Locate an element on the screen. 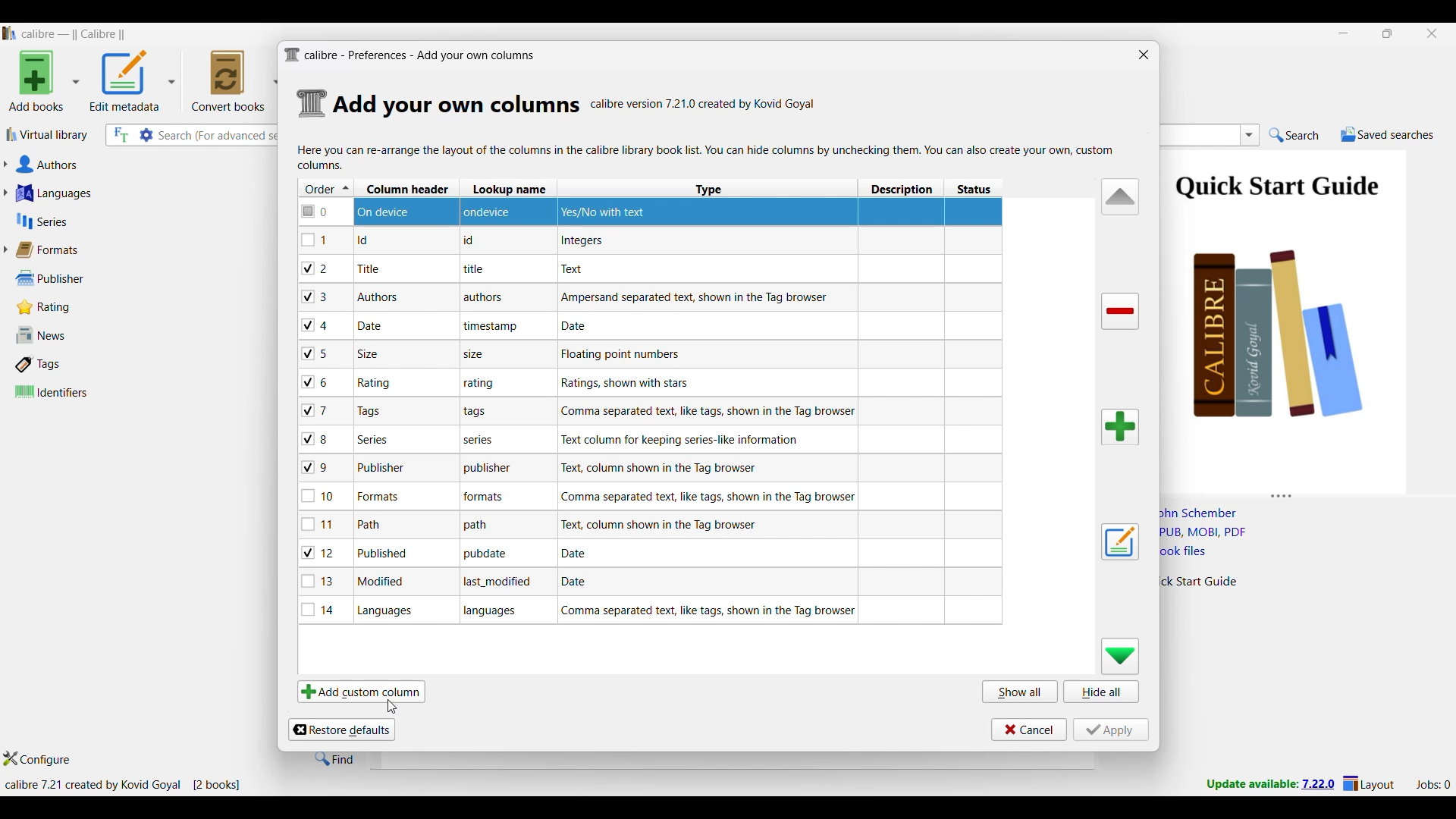  Saved searches is located at coordinates (1387, 134).